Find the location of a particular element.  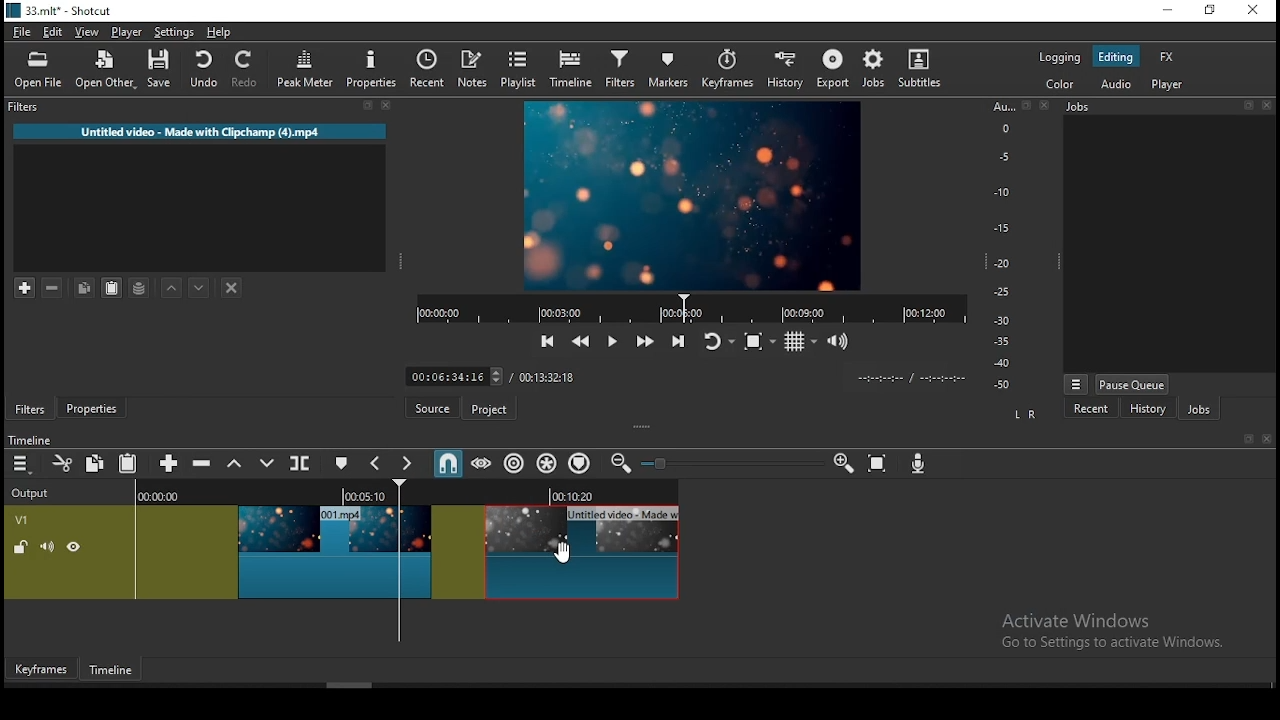

timeline is located at coordinates (33, 439).